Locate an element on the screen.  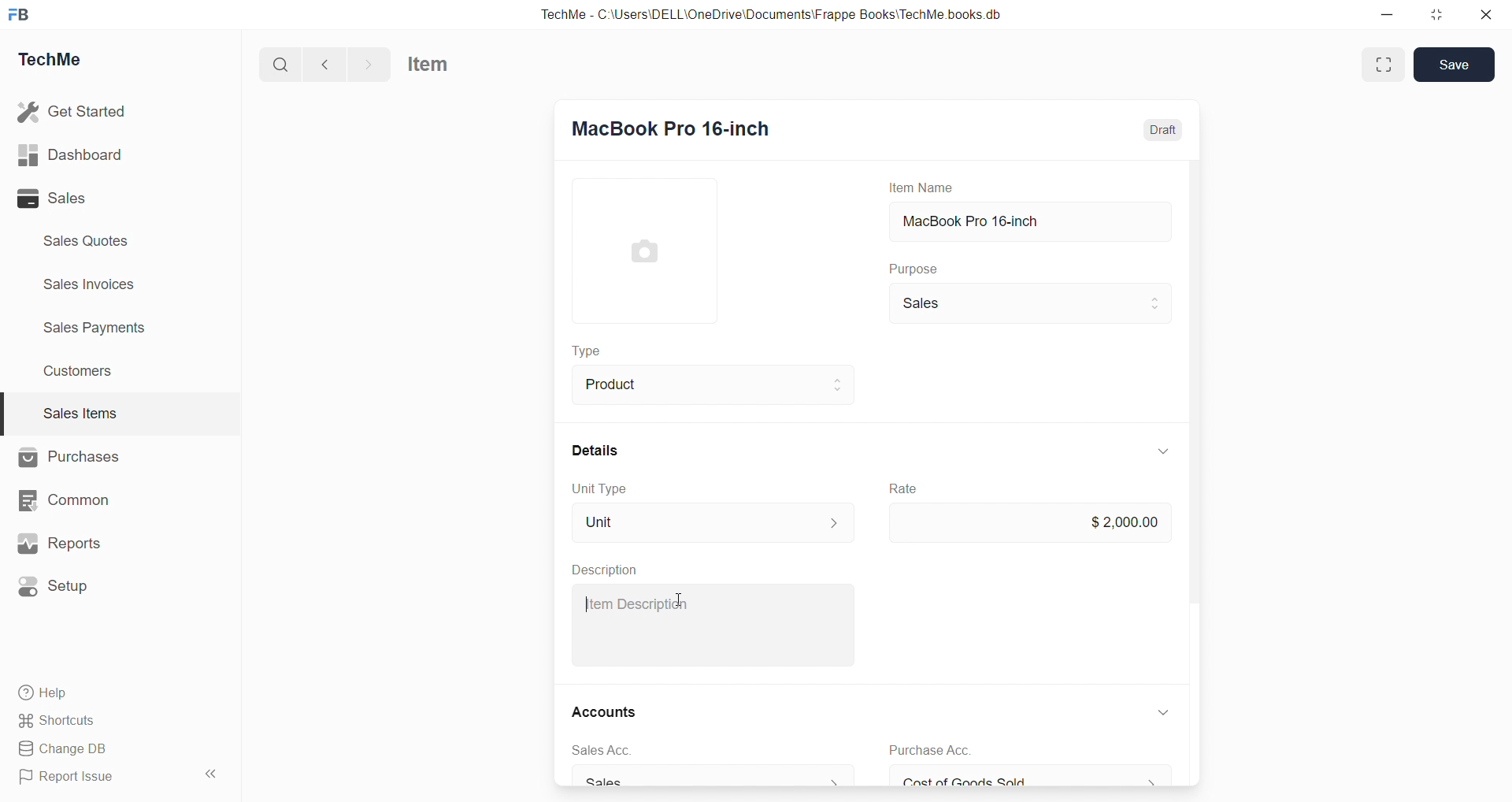
Description is located at coordinates (608, 570).